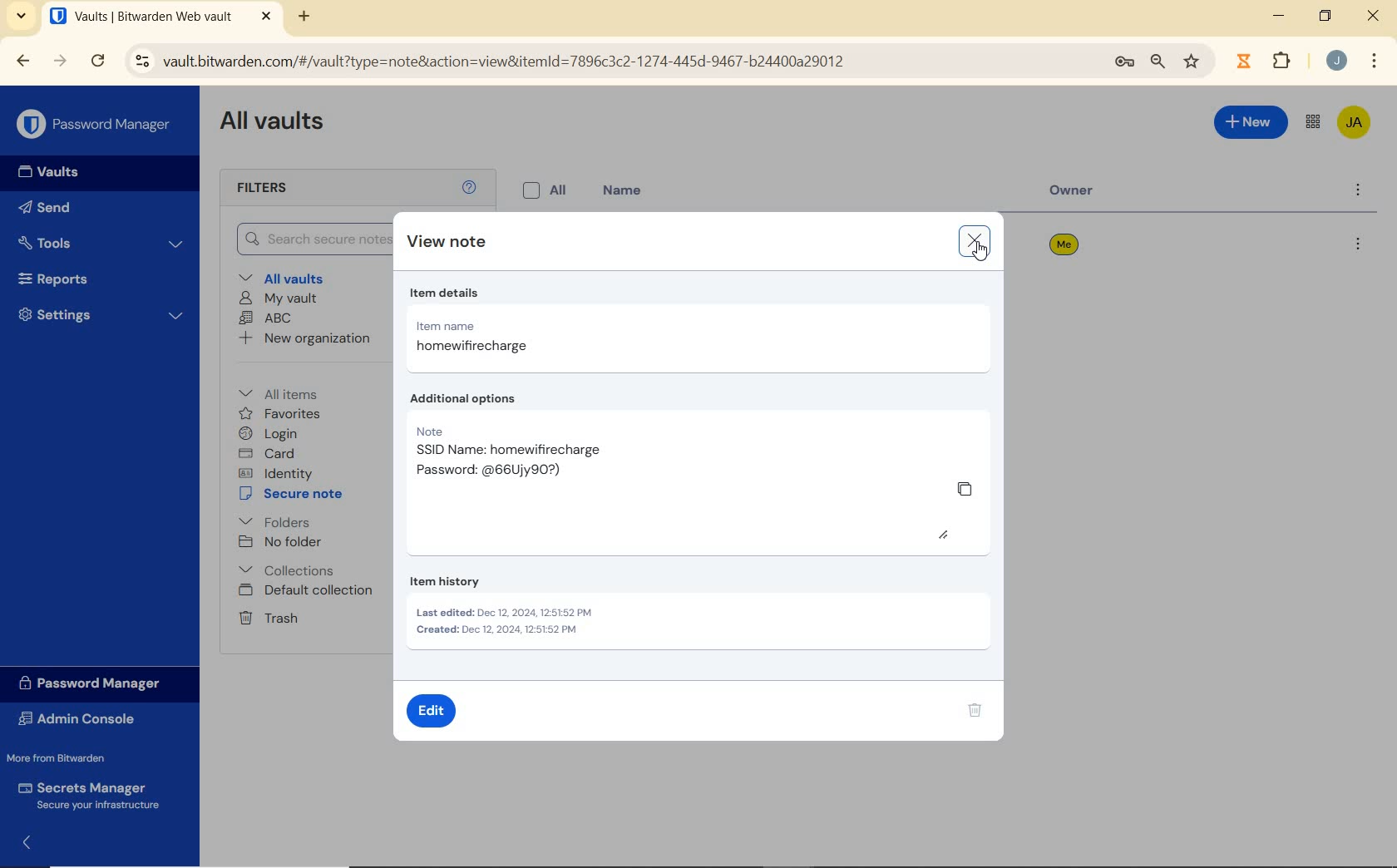 This screenshot has height=868, width=1397. What do you see at coordinates (160, 16) in the screenshot?
I see `open tab` at bounding box center [160, 16].